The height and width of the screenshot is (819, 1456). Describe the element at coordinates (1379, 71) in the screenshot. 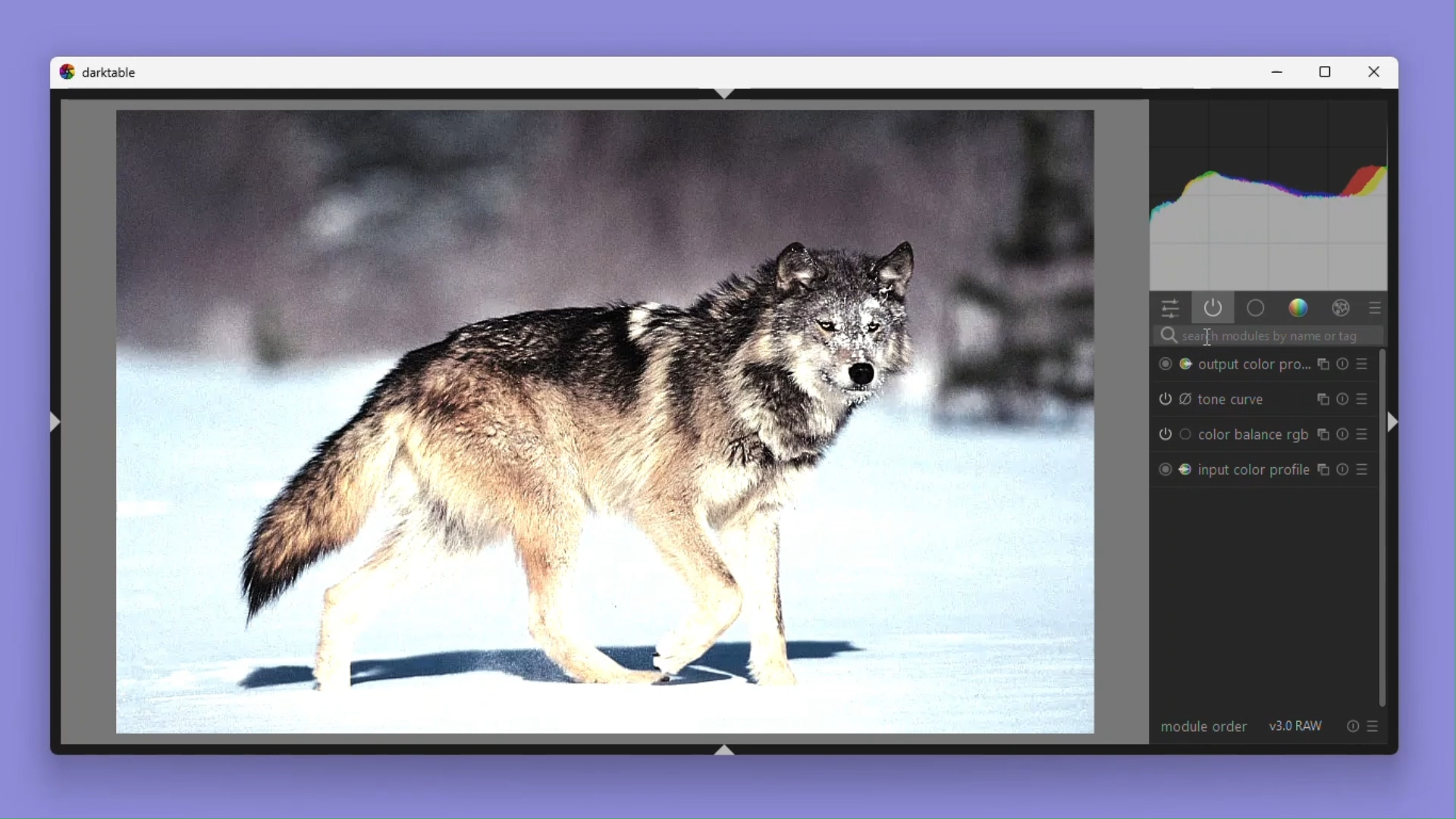

I see `Close ` at that location.